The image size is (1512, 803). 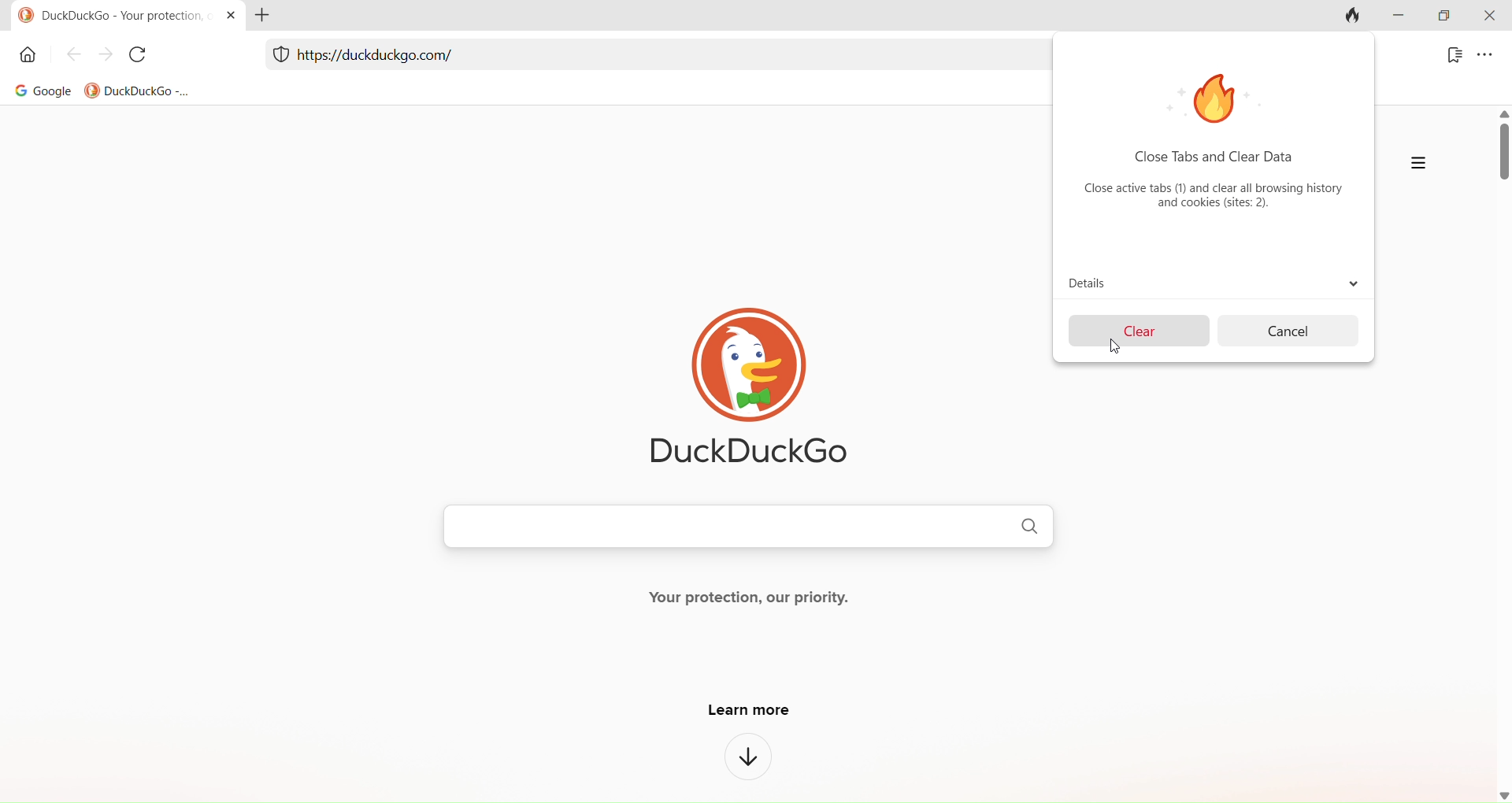 I want to click on DuckDuckGoo - Your protection, so click(x=104, y=16).